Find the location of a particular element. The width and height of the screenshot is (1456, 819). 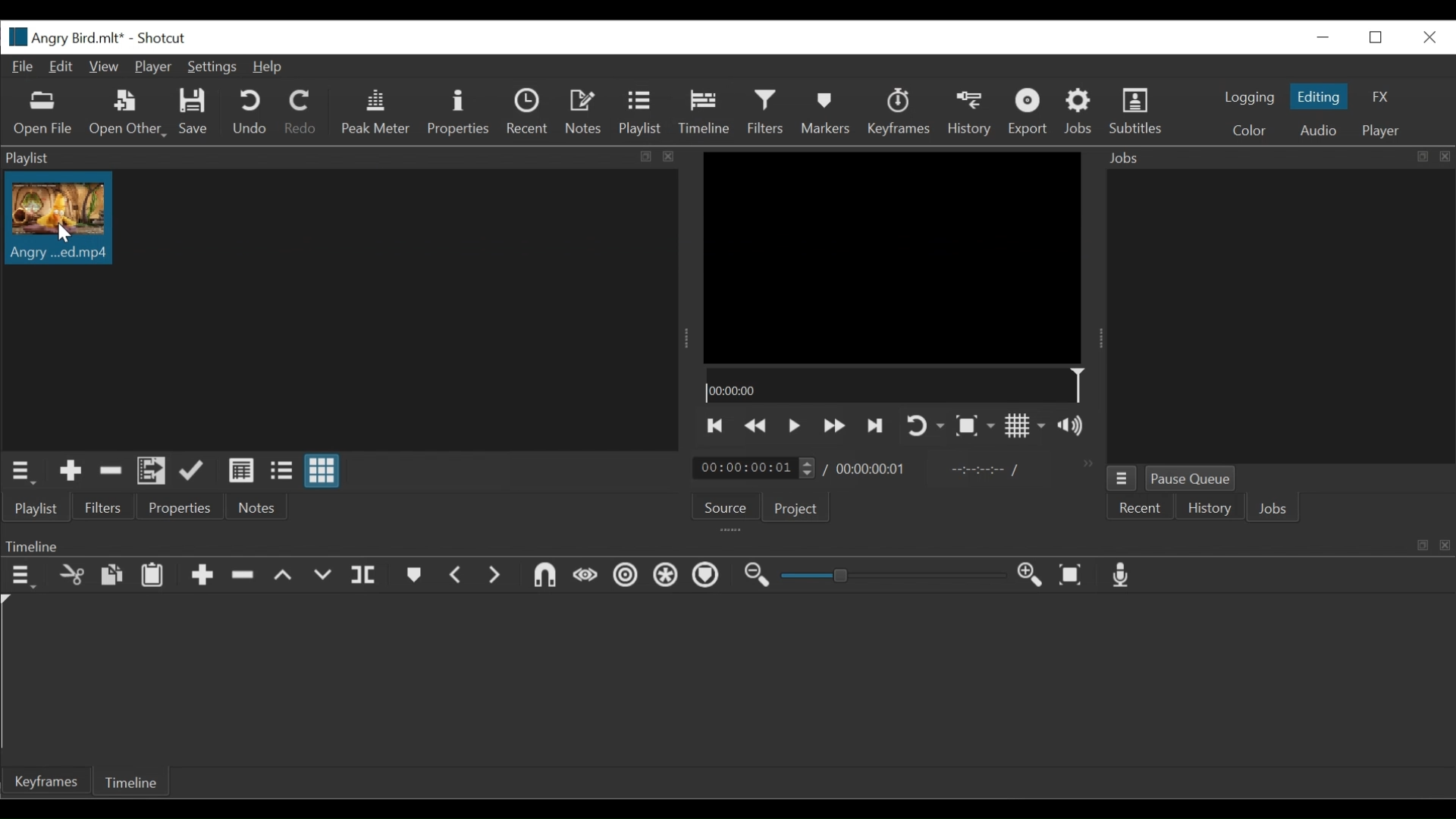

Properties is located at coordinates (183, 507).